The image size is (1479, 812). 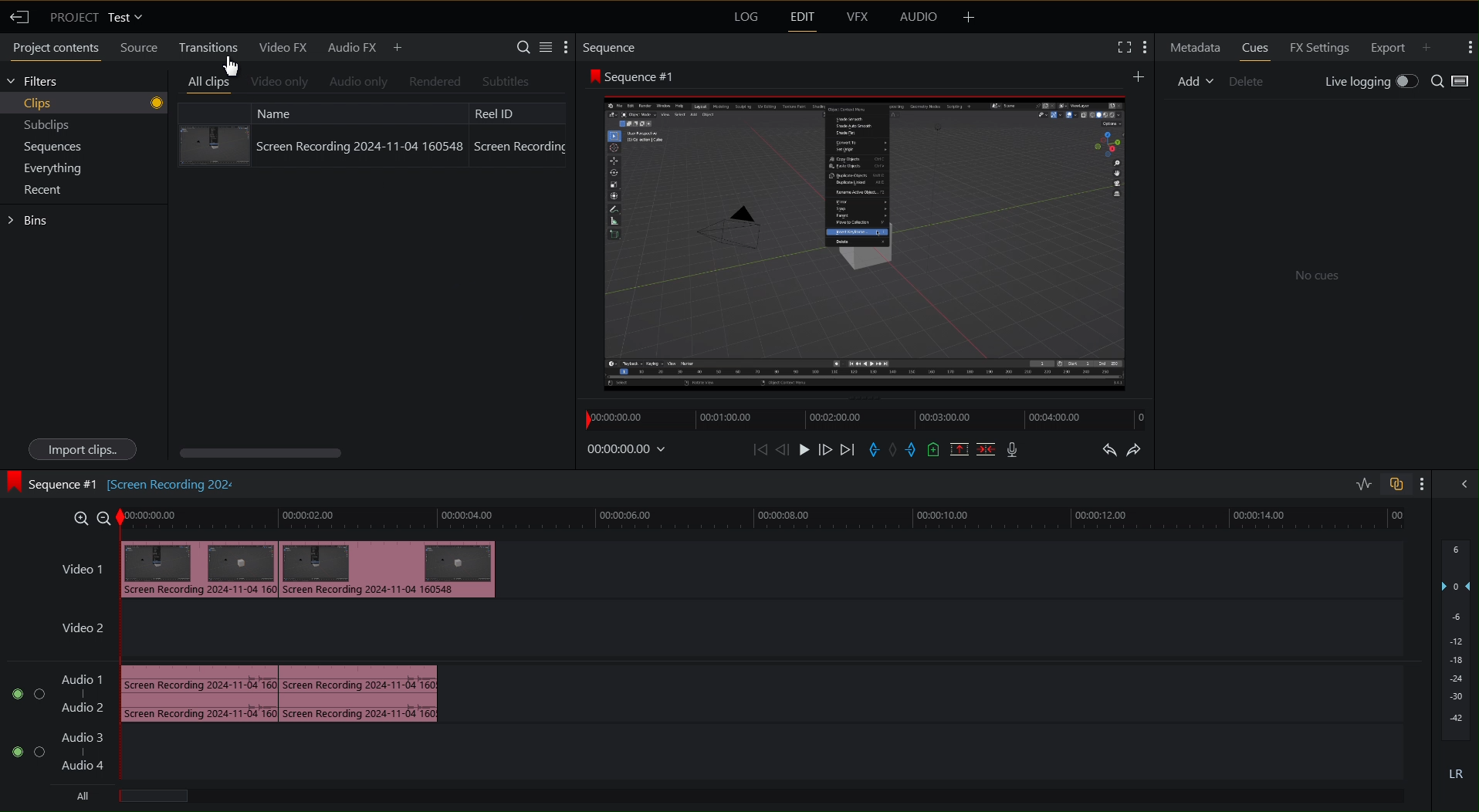 I want to click on More, so click(x=969, y=18).